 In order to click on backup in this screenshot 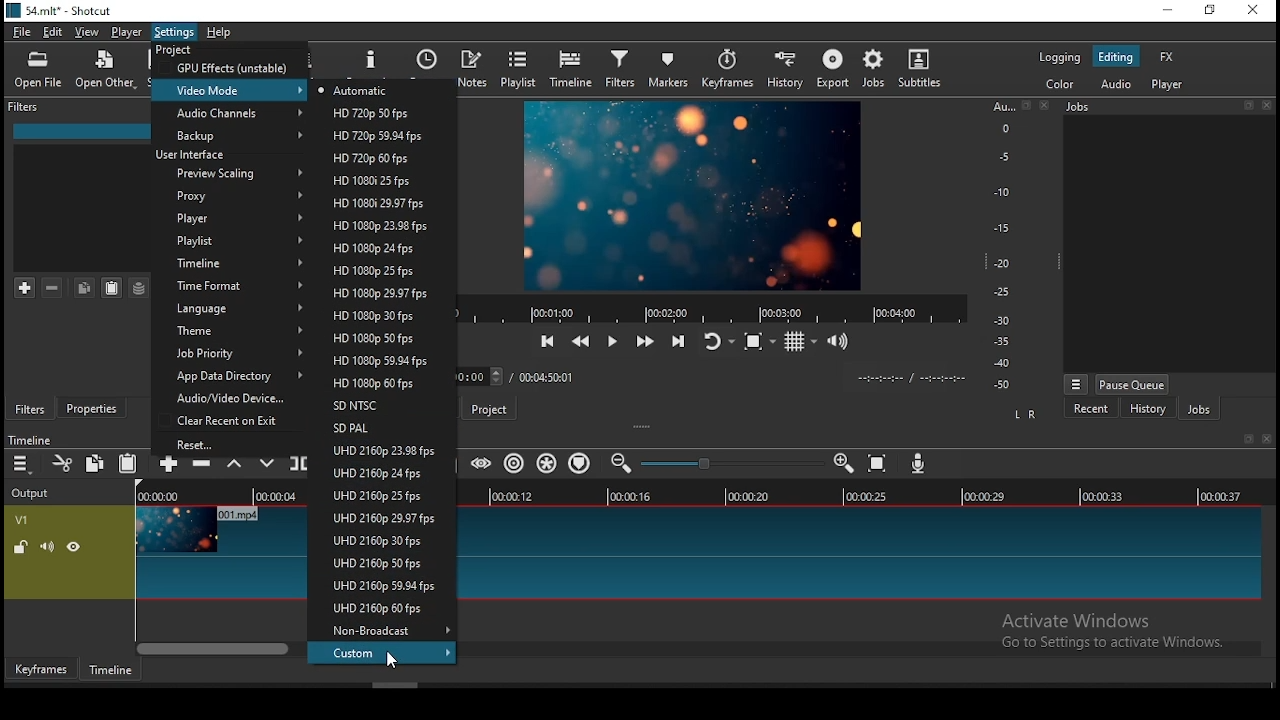, I will do `click(229, 135)`.